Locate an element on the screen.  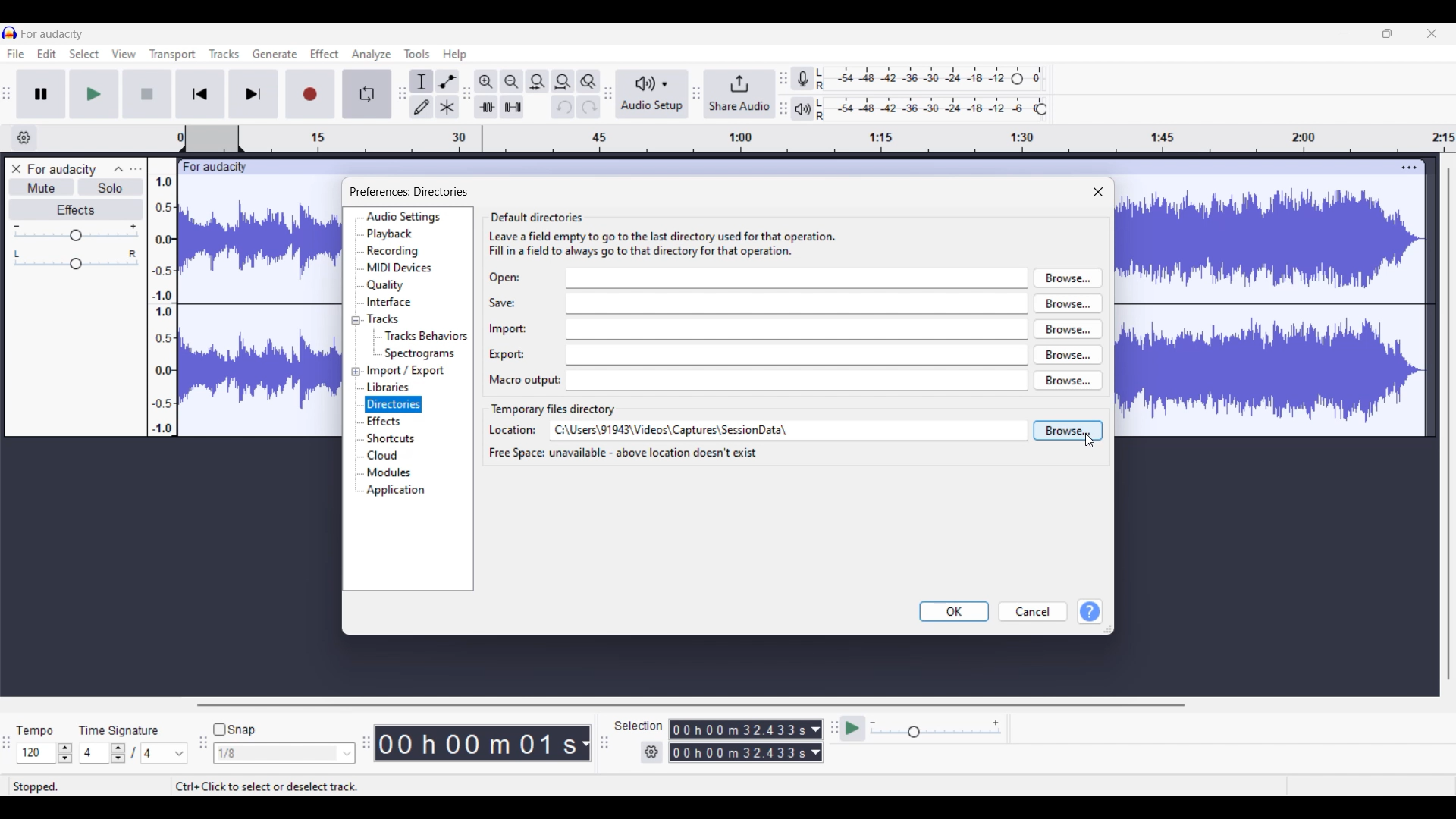
Analyze menu is located at coordinates (372, 55).